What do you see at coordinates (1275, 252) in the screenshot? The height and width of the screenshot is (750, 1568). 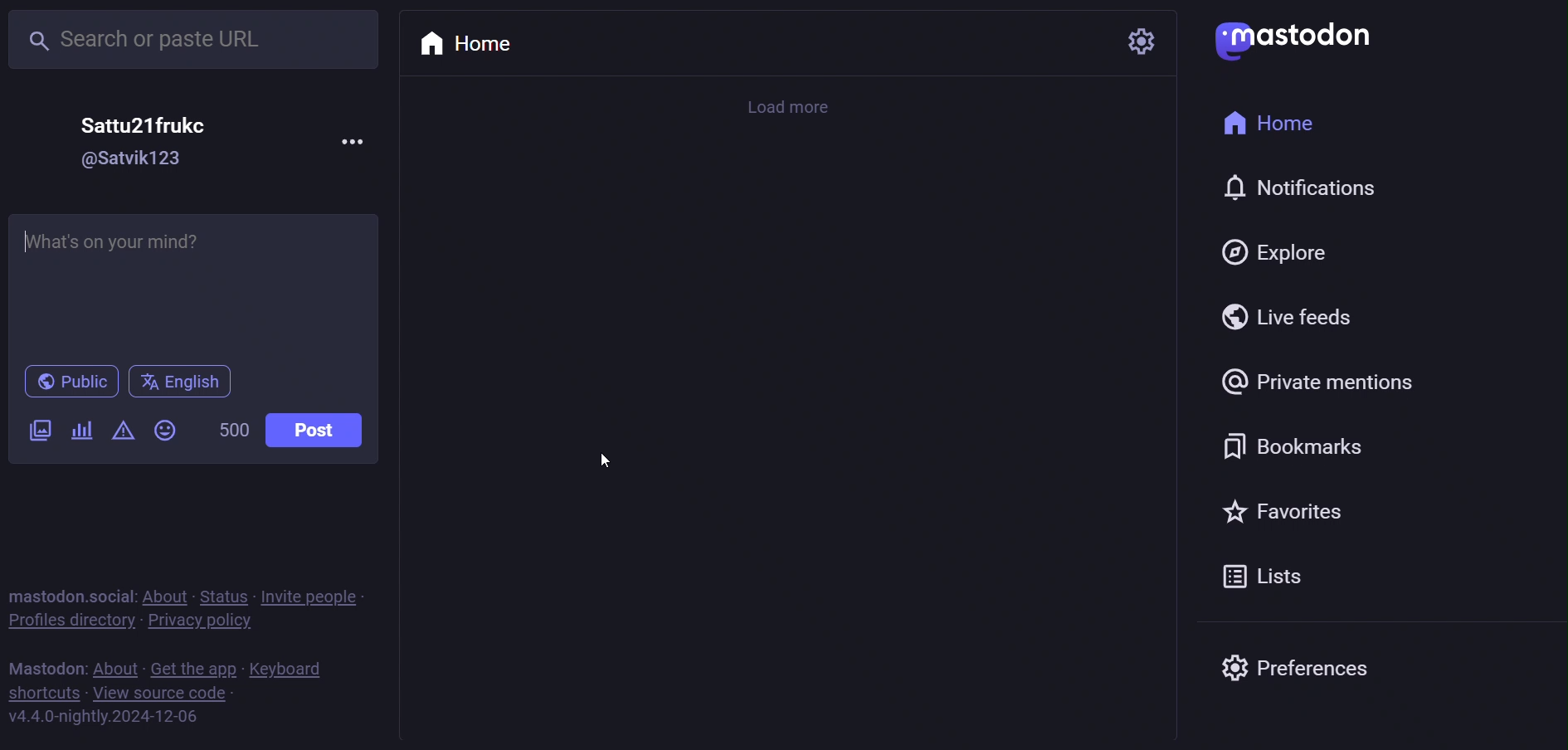 I see `explore` at bounding box center [1275, 252].